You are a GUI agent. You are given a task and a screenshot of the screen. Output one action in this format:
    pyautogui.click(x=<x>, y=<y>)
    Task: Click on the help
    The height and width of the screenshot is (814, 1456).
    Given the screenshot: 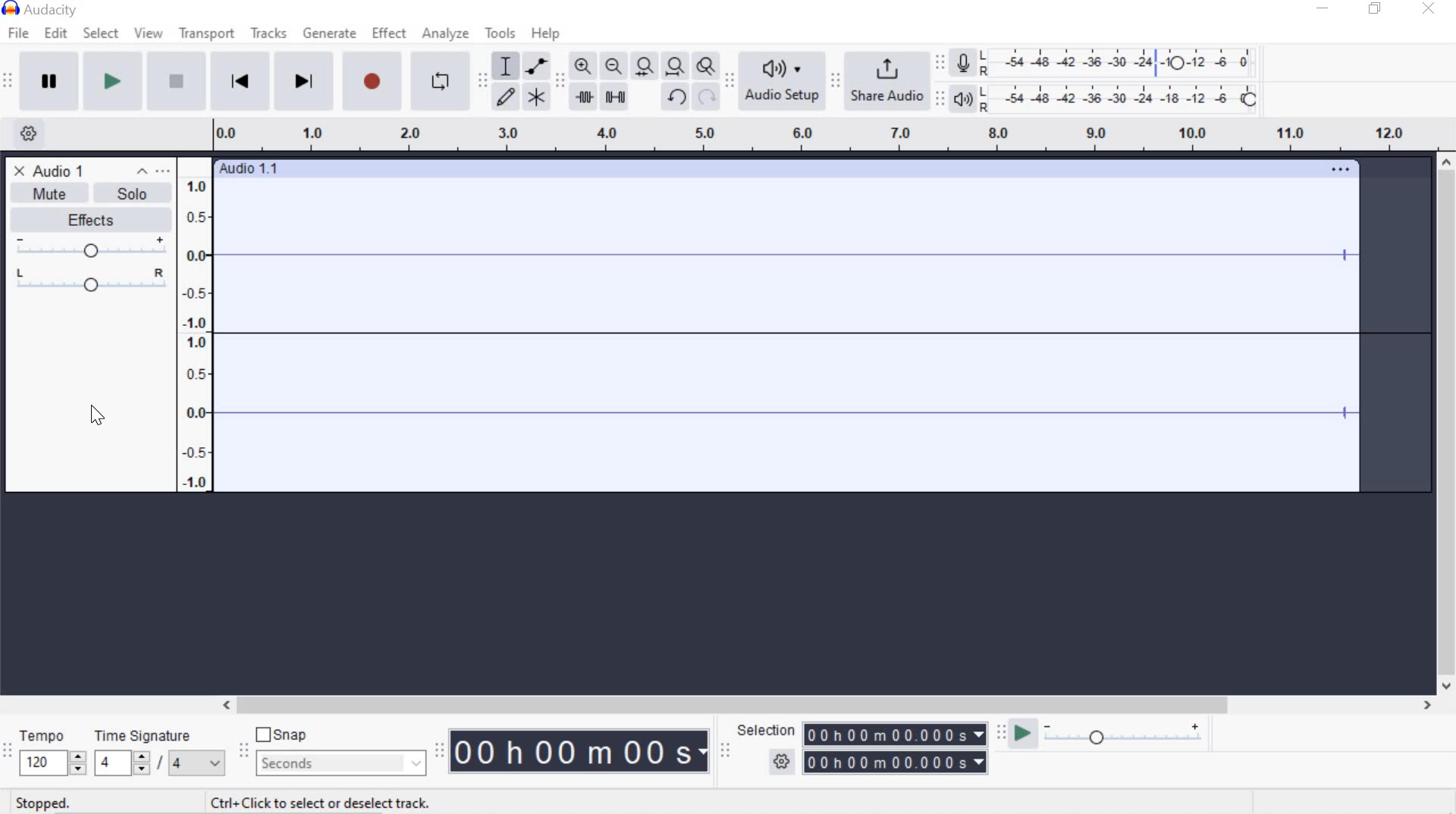 What is the action you would take?
    pyautogui.click(x=542, y=33)
    